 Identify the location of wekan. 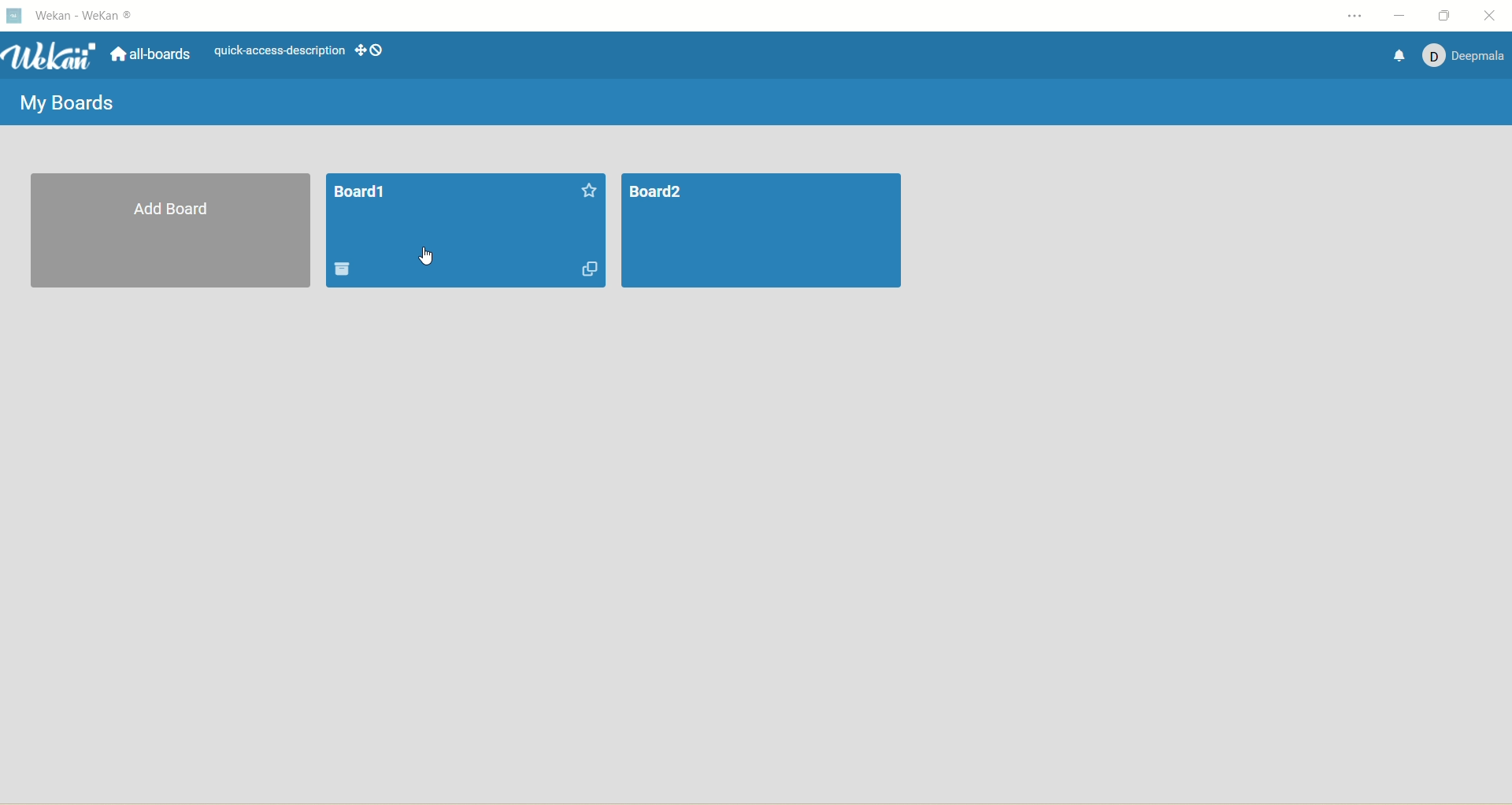
(55, 57).